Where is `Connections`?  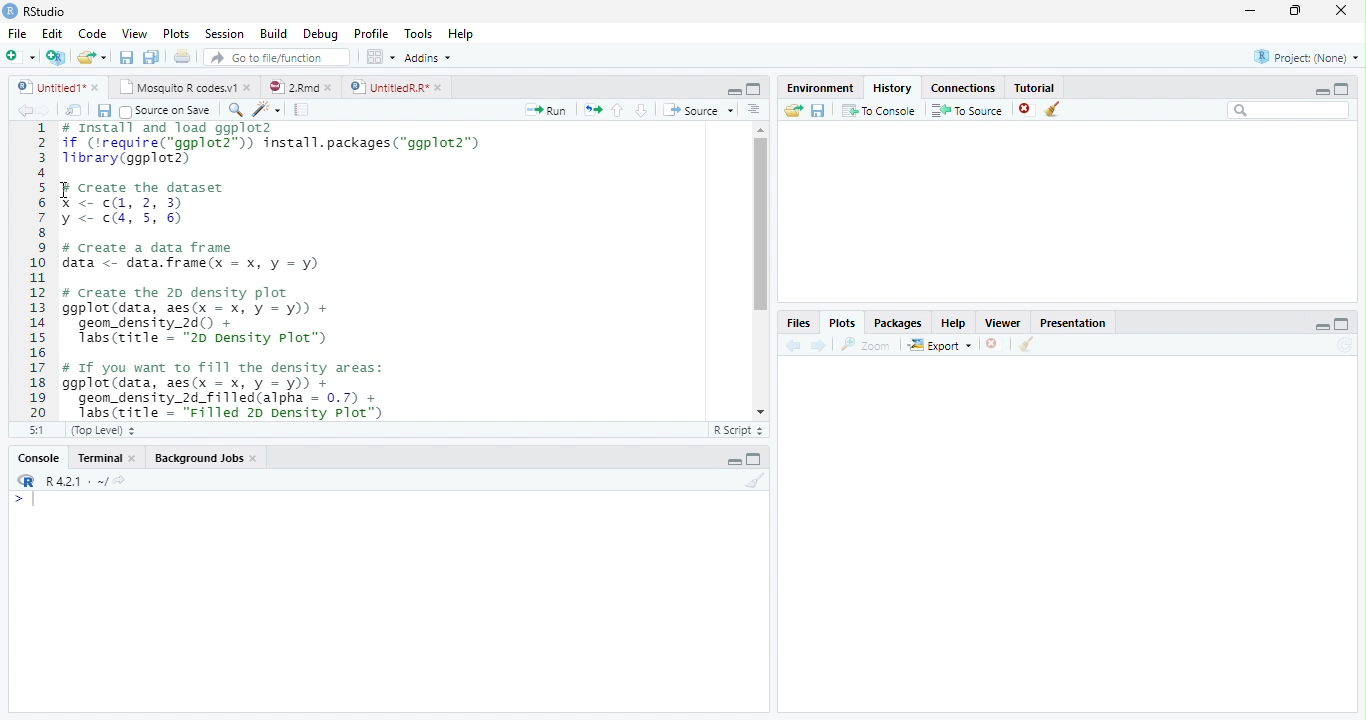
Connections is located at coordinates (964, 89).